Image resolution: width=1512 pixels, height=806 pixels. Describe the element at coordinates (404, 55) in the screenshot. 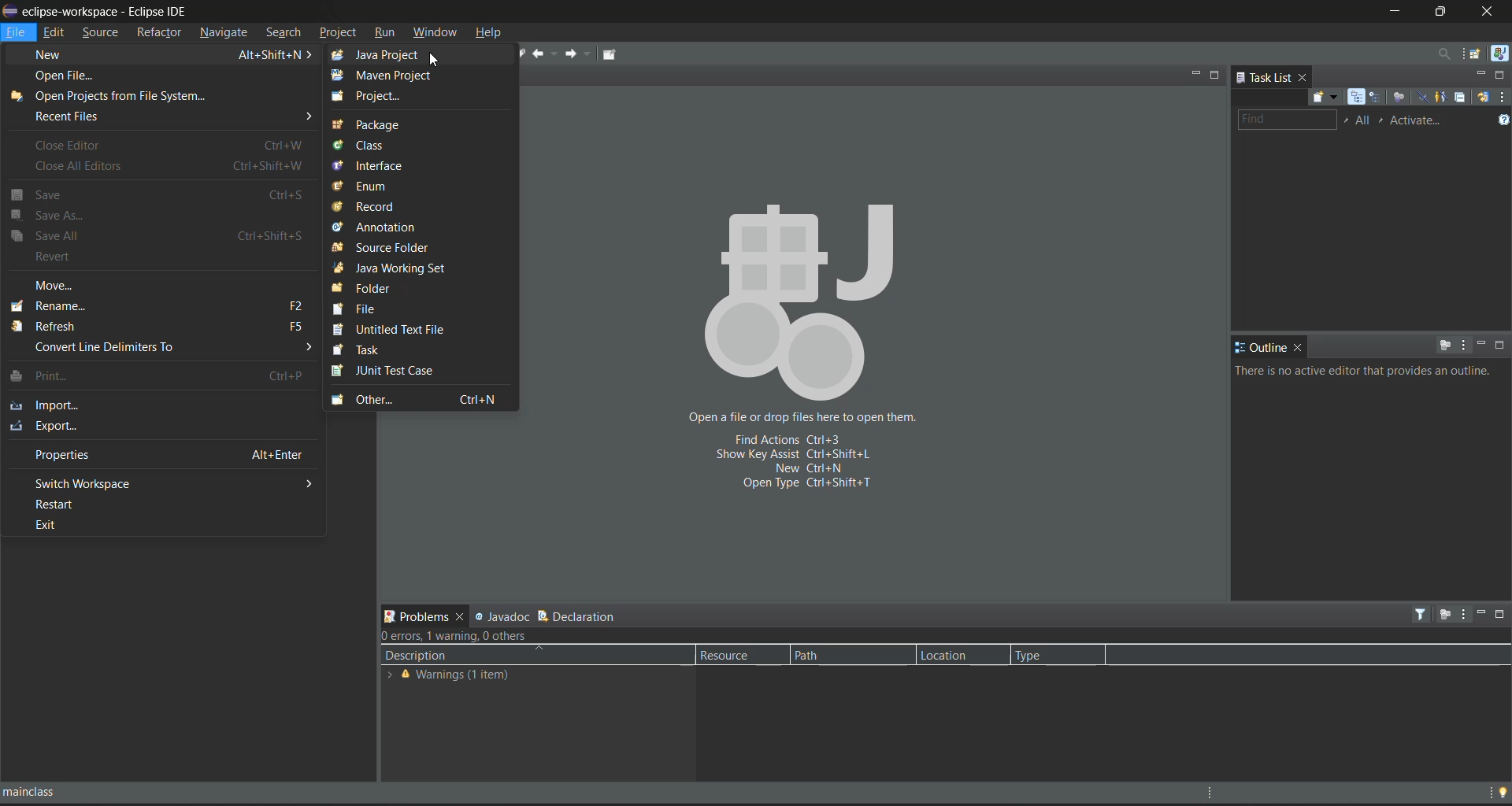

I see `java project` at that location.